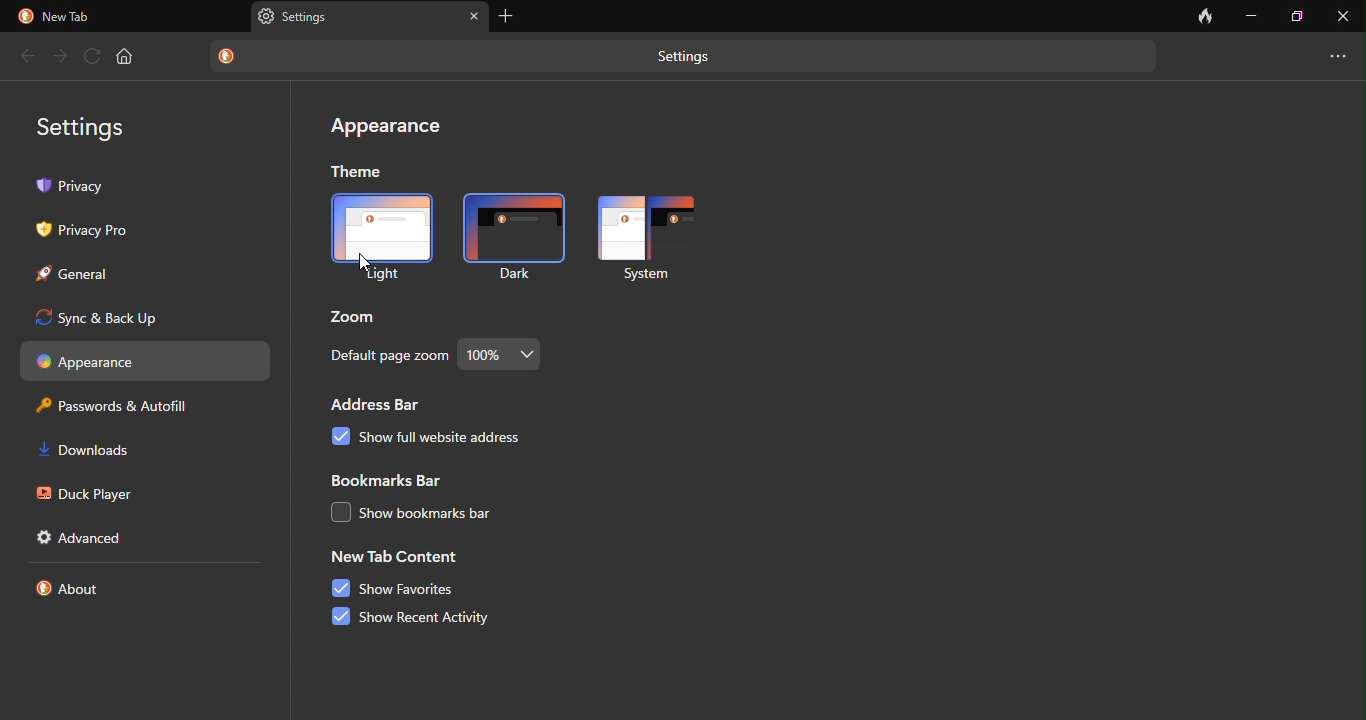 The image size is (1366, 720). What do you see at coordinates (385, 405) in the screenshot?
I see `address bar` at bounding box center [385, 405].